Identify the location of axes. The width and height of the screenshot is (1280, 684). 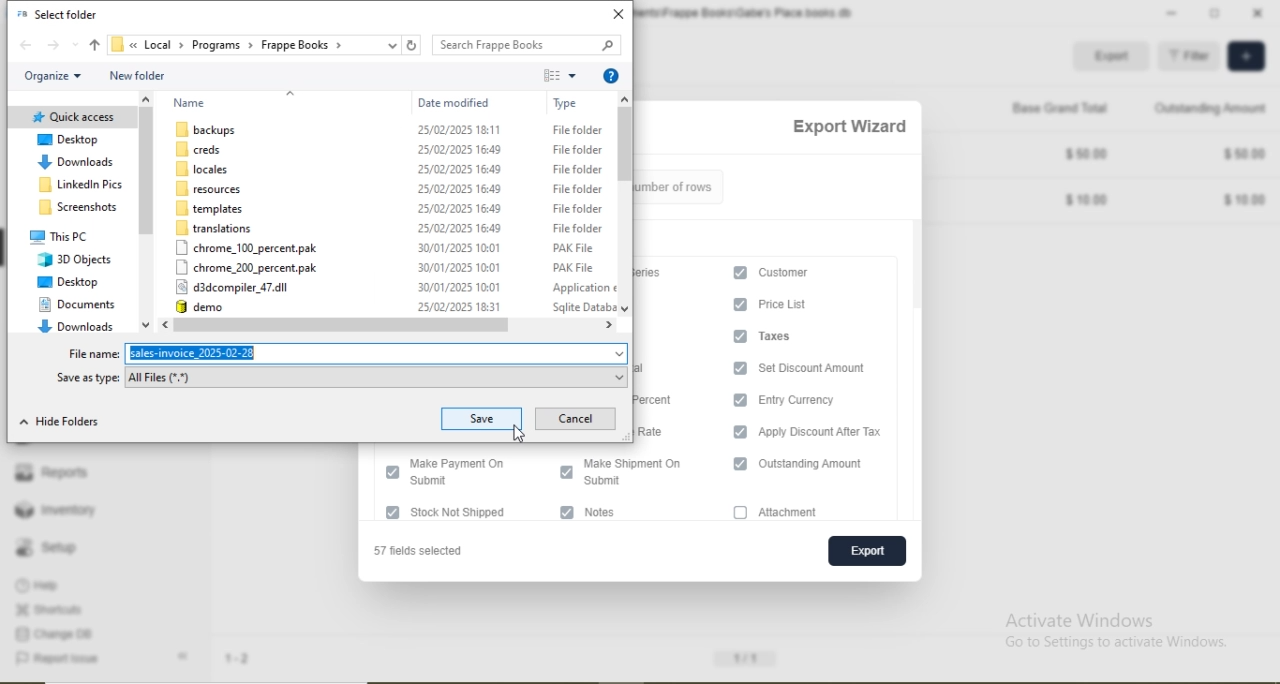
(790, 337).